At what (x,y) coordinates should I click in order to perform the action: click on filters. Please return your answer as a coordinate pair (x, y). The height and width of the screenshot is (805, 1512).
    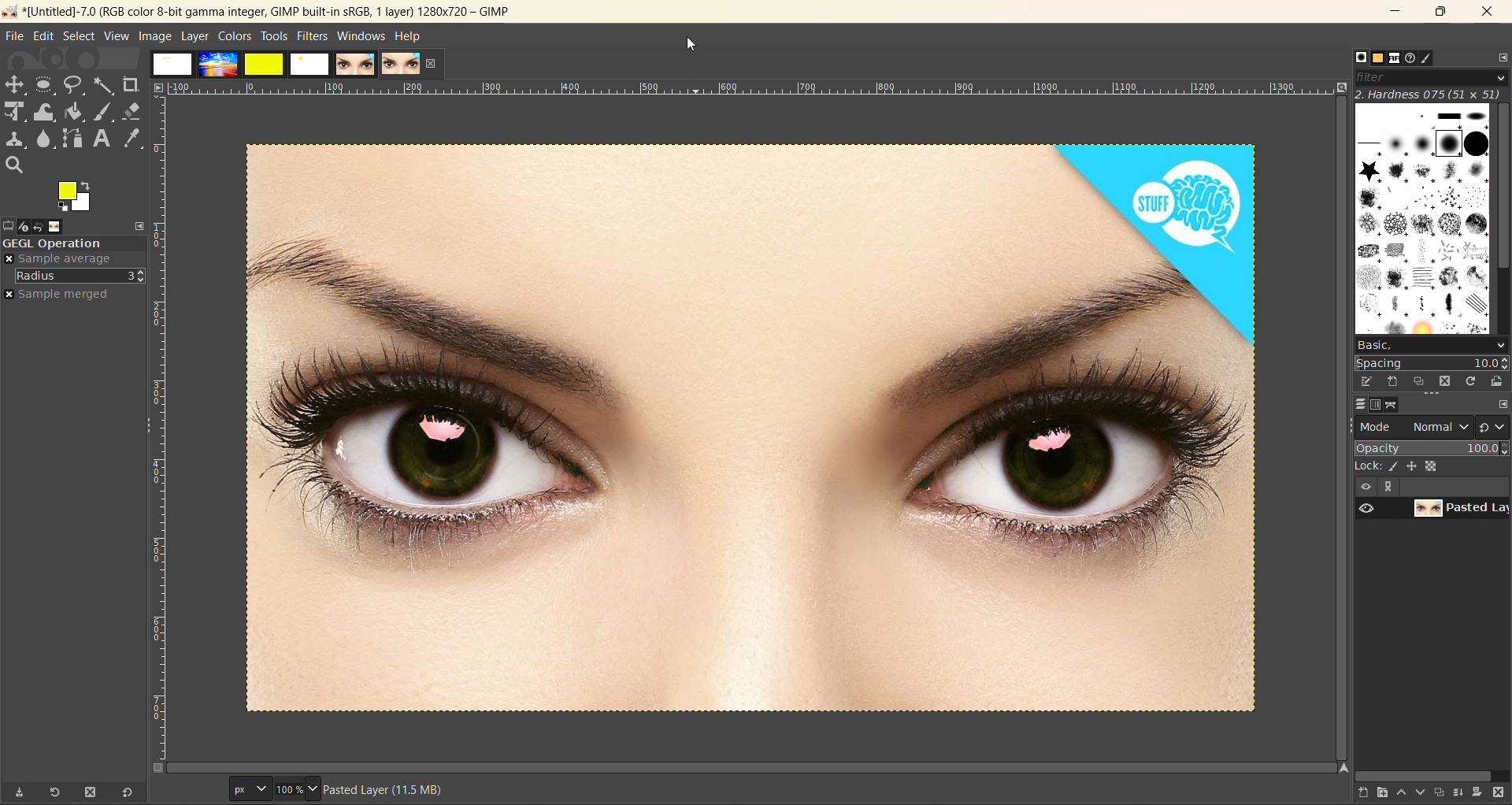
    Looking at the image, I should click on (313, 35).